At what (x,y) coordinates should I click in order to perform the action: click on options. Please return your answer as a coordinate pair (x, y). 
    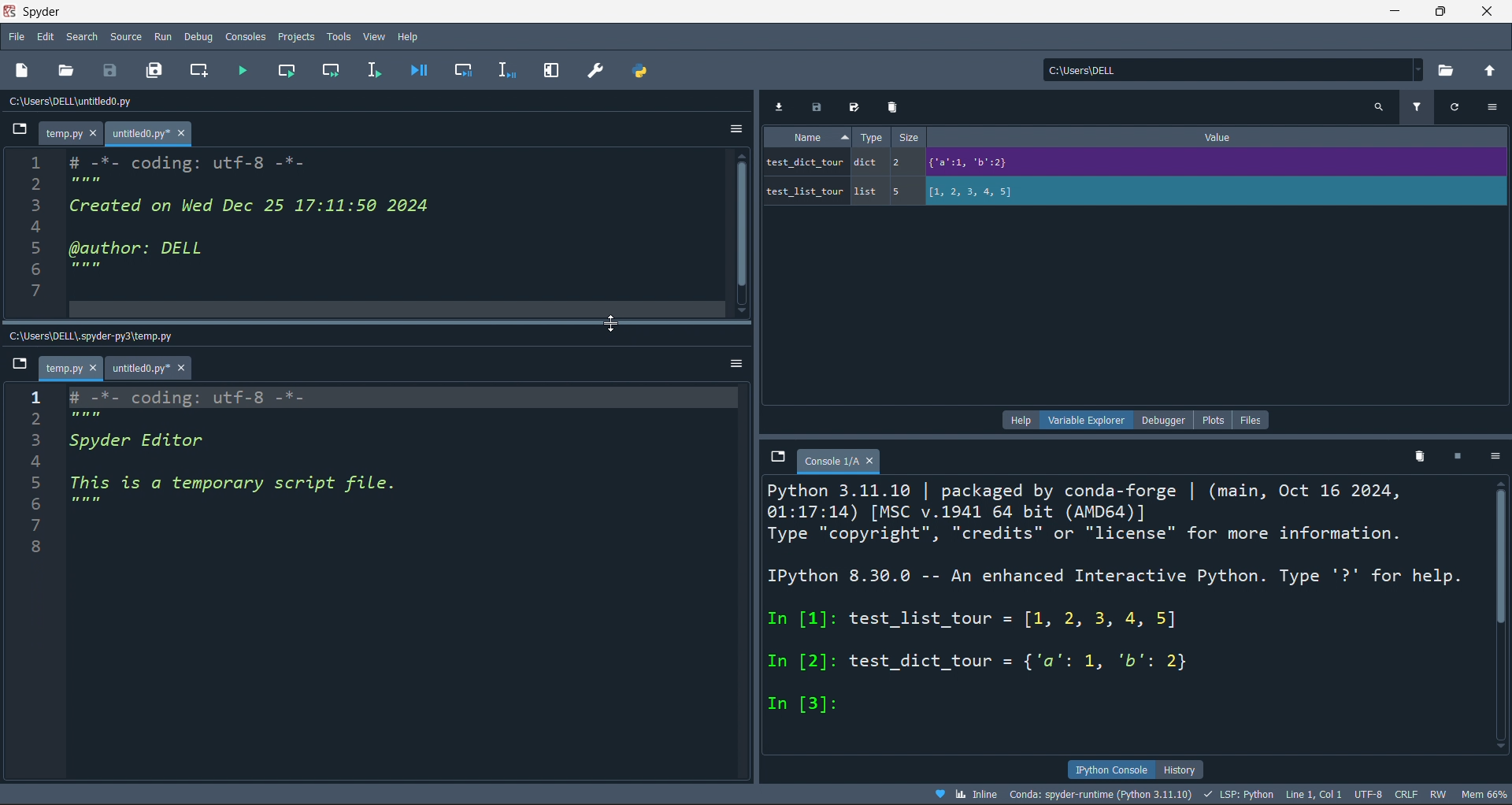
    Looking at the image, I should click on (734, 363).